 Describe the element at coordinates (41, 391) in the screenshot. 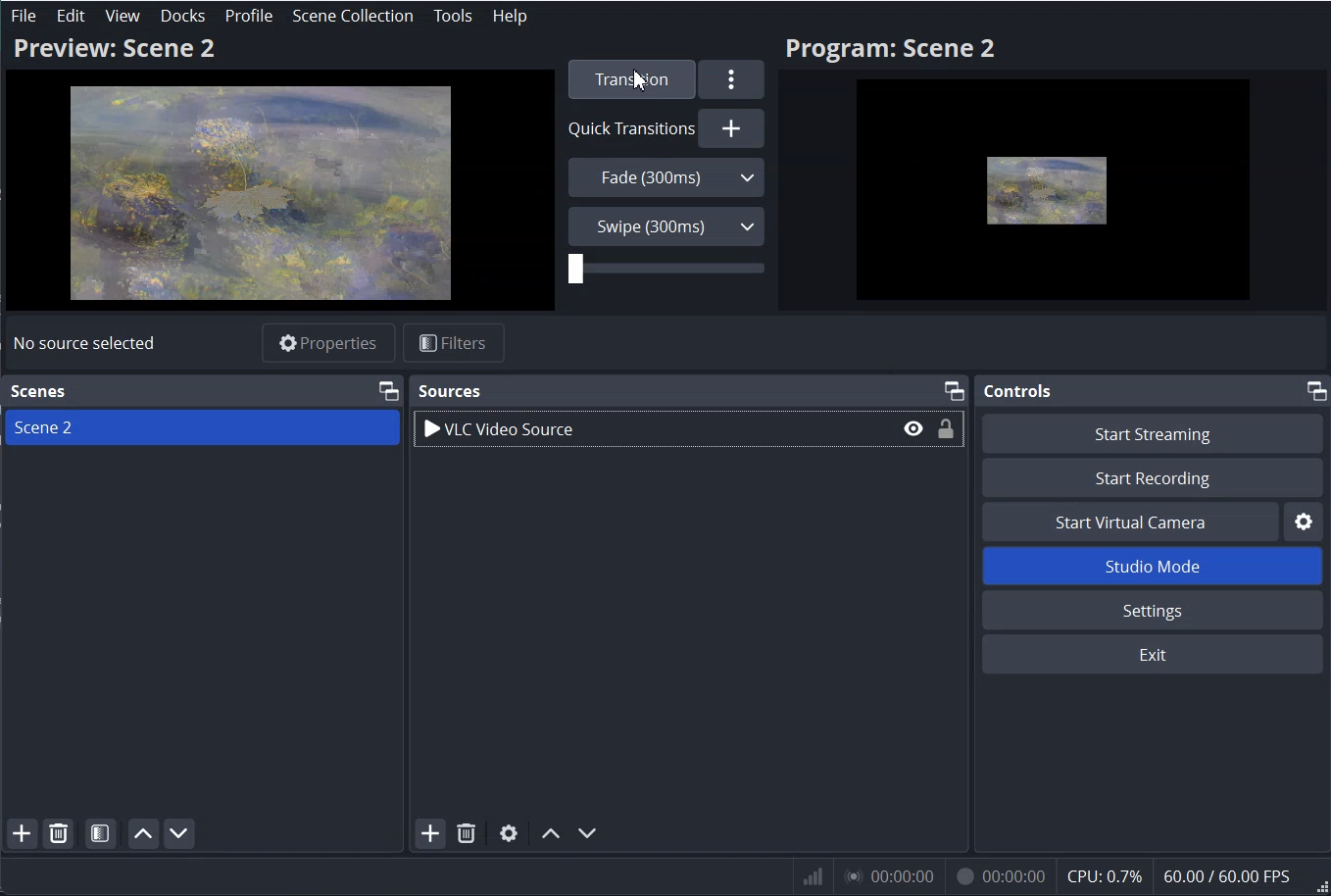

I see `Scene` at that location.